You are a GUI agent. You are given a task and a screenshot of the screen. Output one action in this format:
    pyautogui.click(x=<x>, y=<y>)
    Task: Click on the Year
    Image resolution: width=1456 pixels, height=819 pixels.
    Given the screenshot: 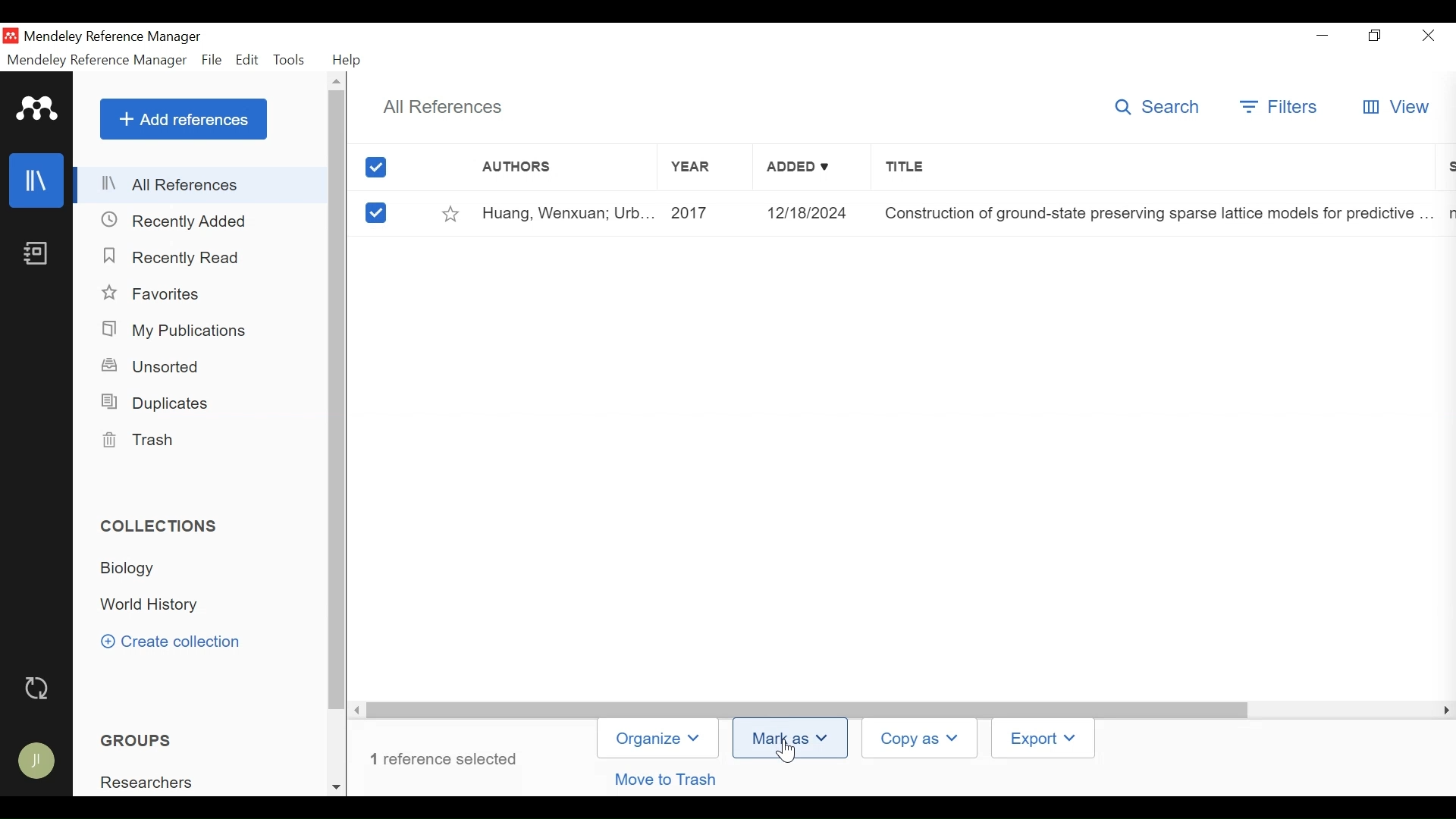 What is the action you would take?
    pyautogui.click(x=703, y=169)
    